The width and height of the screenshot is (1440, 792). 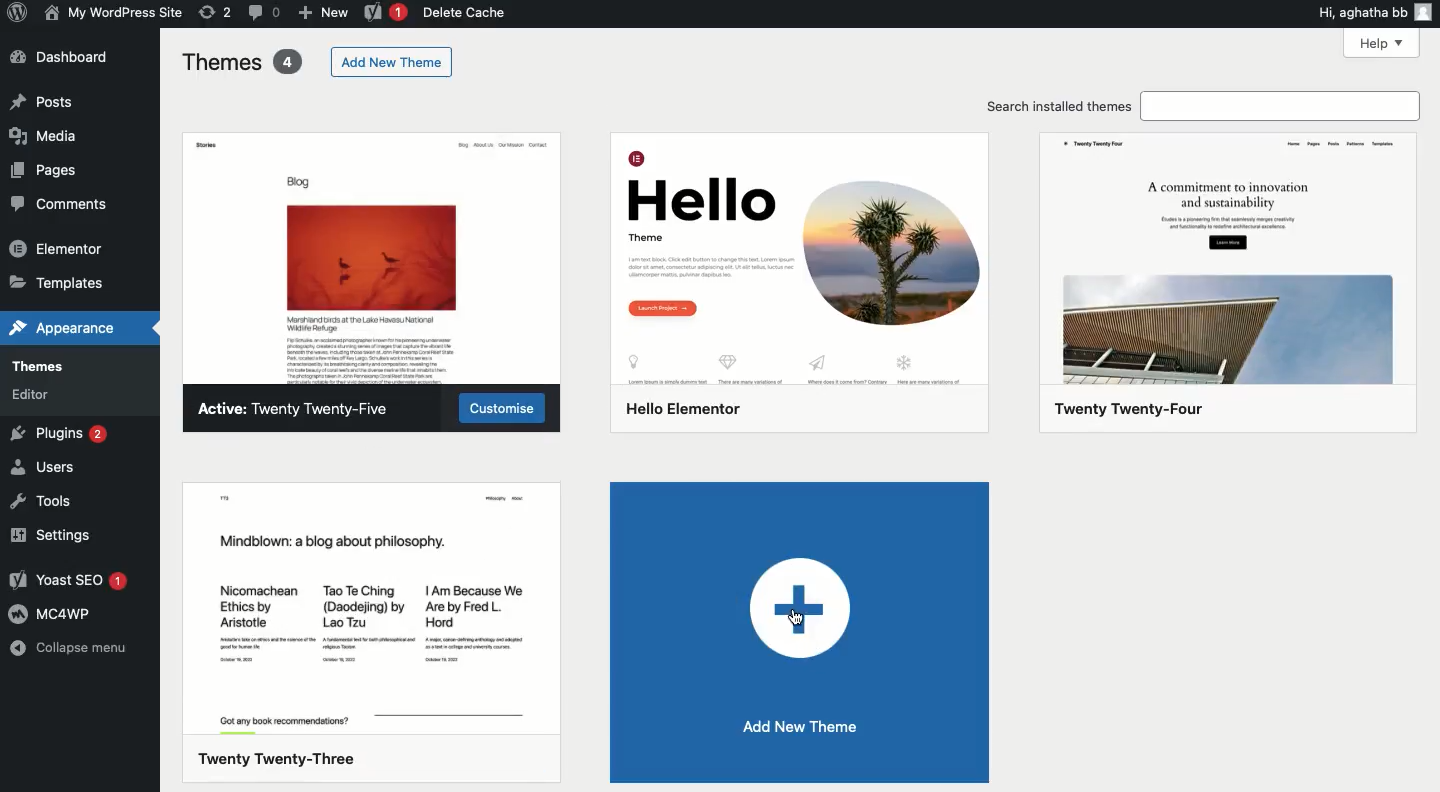 I want to click on Pages, so click(x=43, y=172).